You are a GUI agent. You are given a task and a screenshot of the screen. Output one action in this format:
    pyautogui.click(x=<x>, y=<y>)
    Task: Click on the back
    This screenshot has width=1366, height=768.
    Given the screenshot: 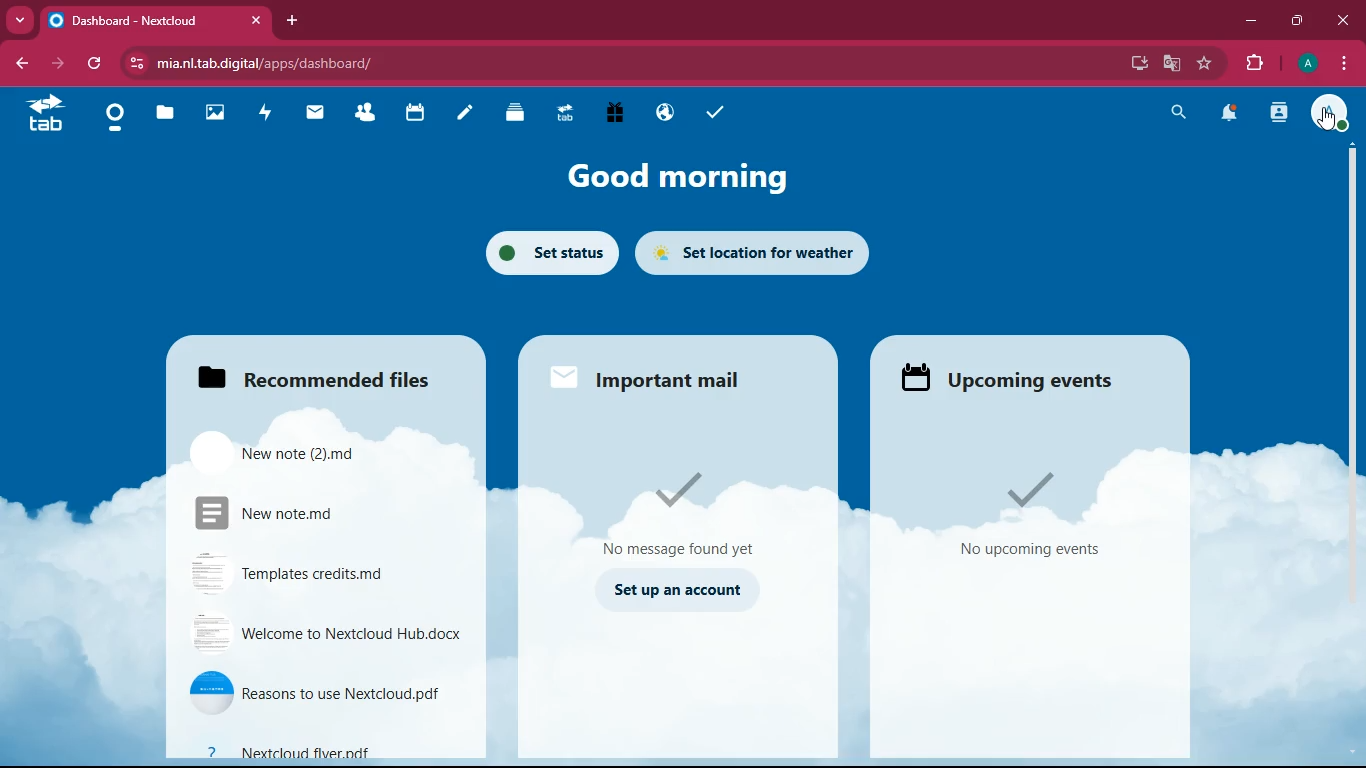 What is the action you would take?
    pyautogui.click(x=26, y=63)
    